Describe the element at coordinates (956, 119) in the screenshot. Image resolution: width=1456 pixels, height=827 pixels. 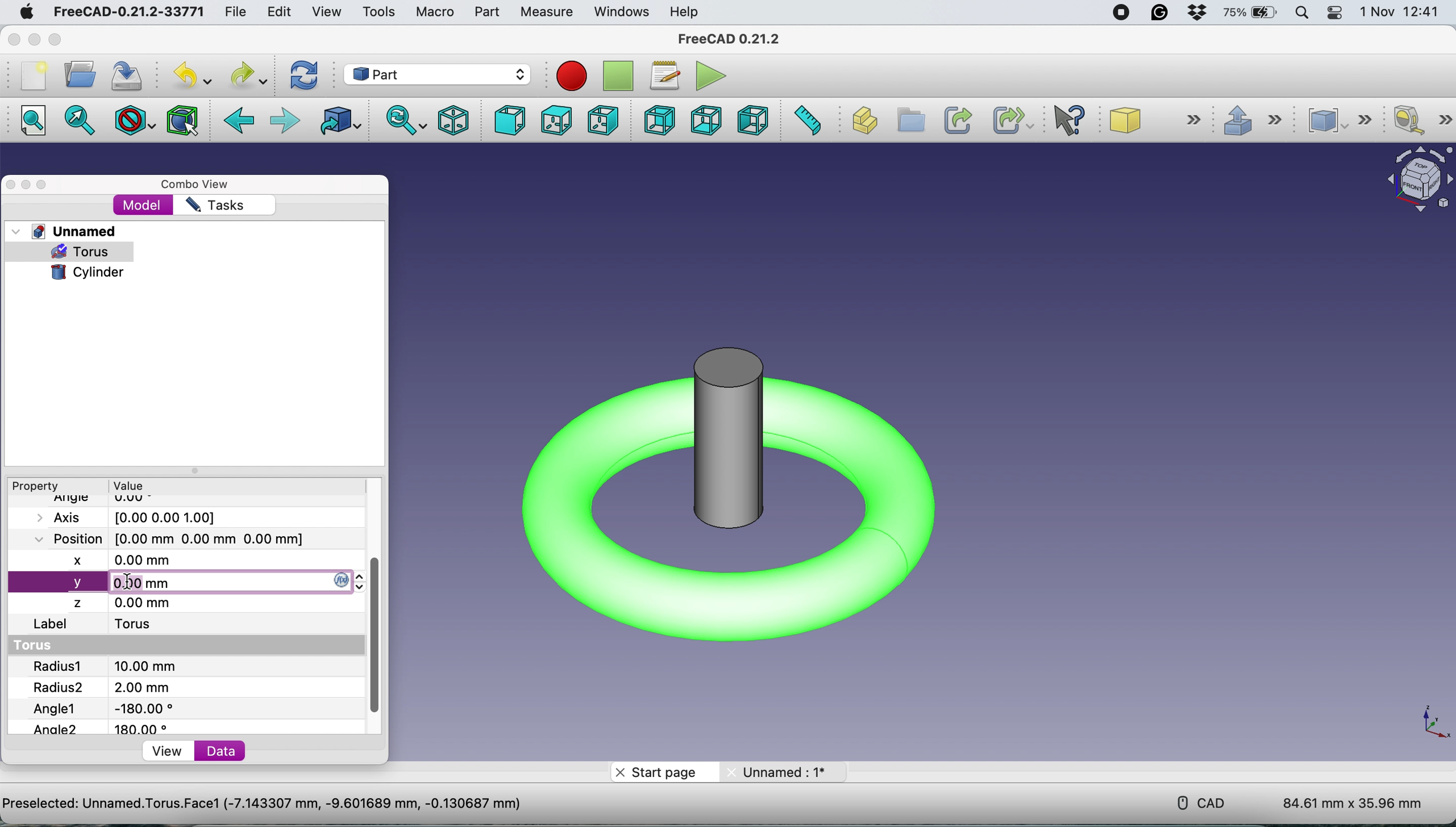
I see `create link` at that location.